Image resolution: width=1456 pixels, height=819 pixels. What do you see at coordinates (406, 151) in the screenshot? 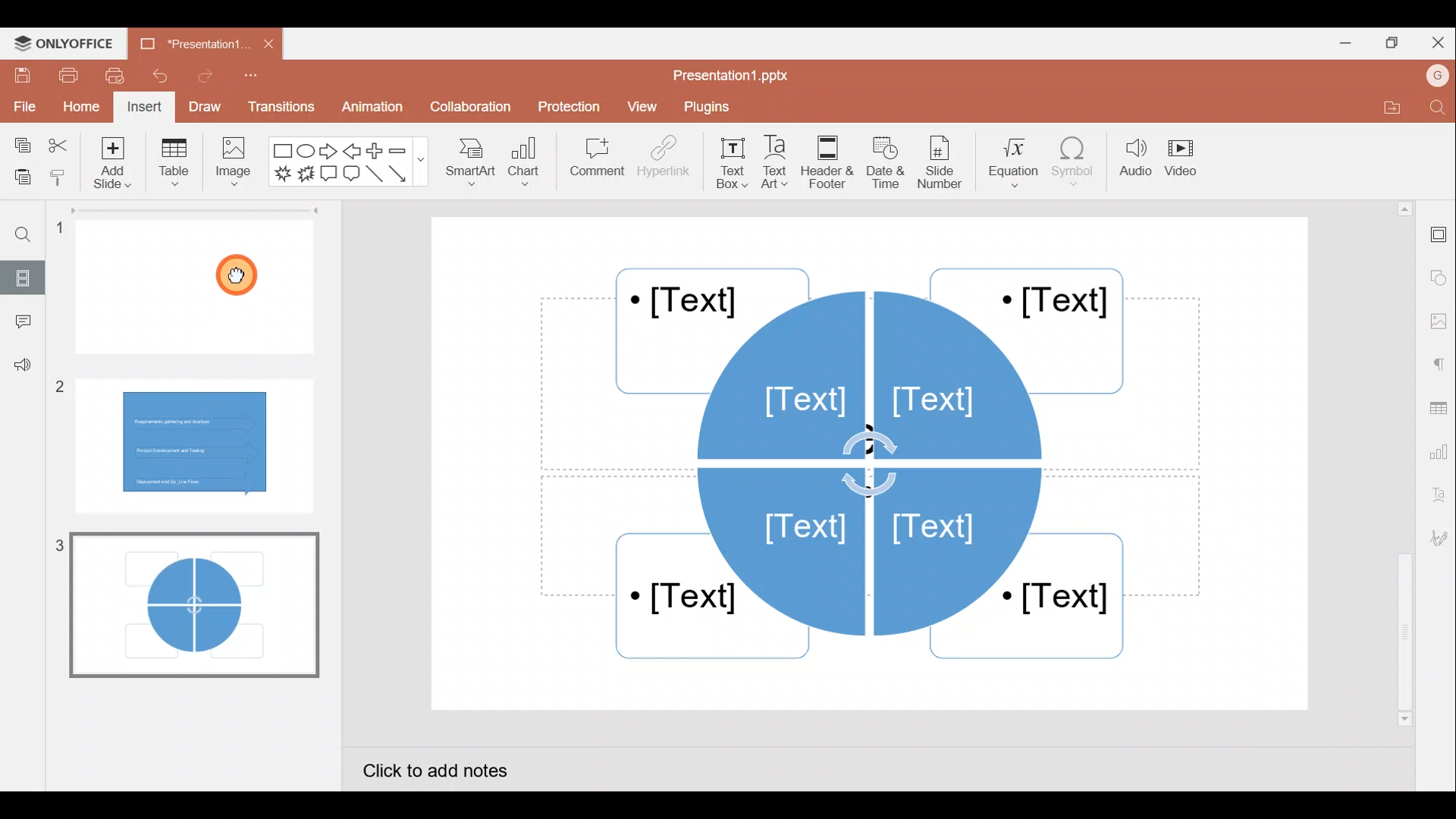
I see `Minus` at bounding box center [406, 151].